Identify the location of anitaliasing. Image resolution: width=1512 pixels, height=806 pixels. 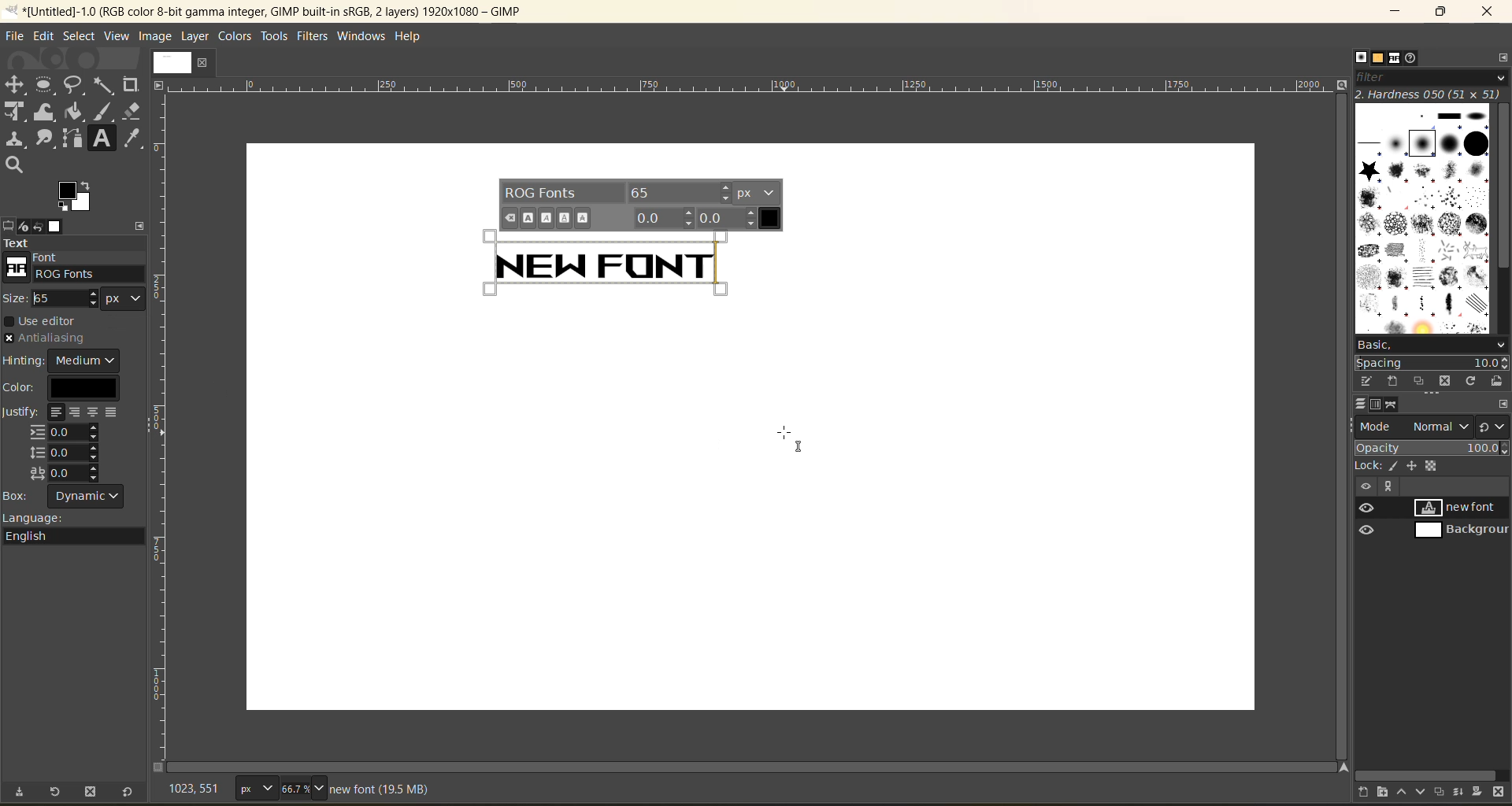
(58, 337).